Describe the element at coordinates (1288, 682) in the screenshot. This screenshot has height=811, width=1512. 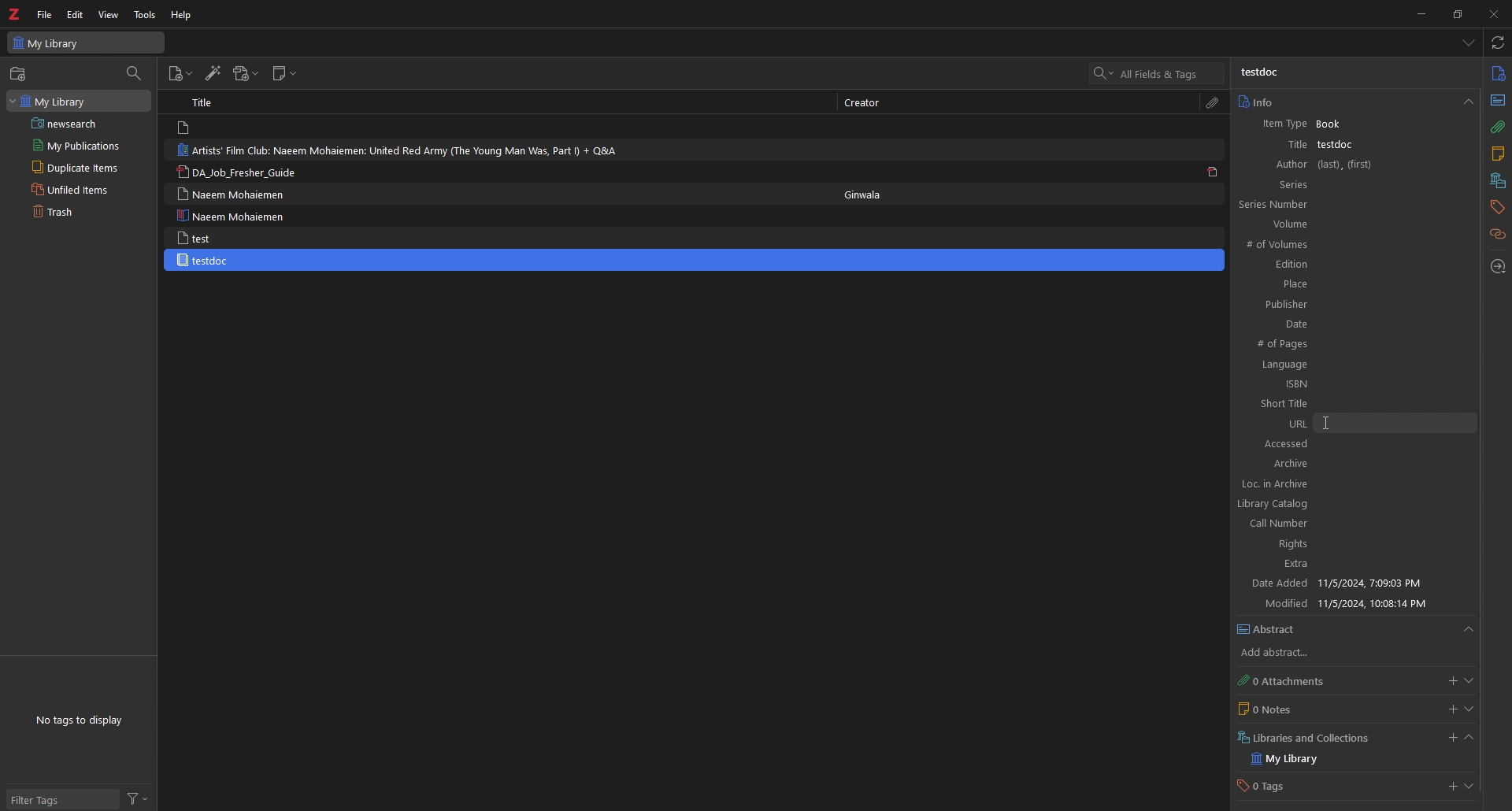
I see `0 attachment` at that location.